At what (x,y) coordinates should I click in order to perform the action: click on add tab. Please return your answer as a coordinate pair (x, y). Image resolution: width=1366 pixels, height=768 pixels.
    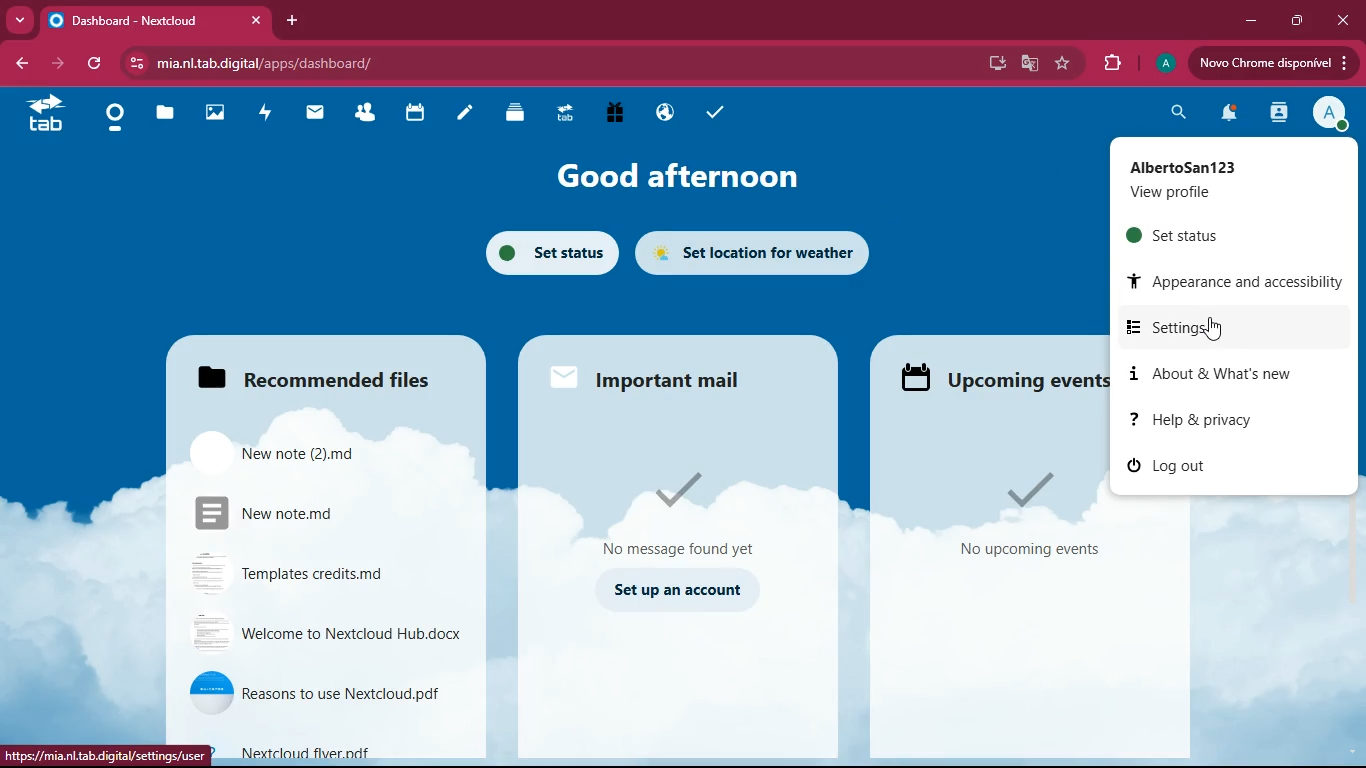
    Looking at the image, I should click on (290, 22).